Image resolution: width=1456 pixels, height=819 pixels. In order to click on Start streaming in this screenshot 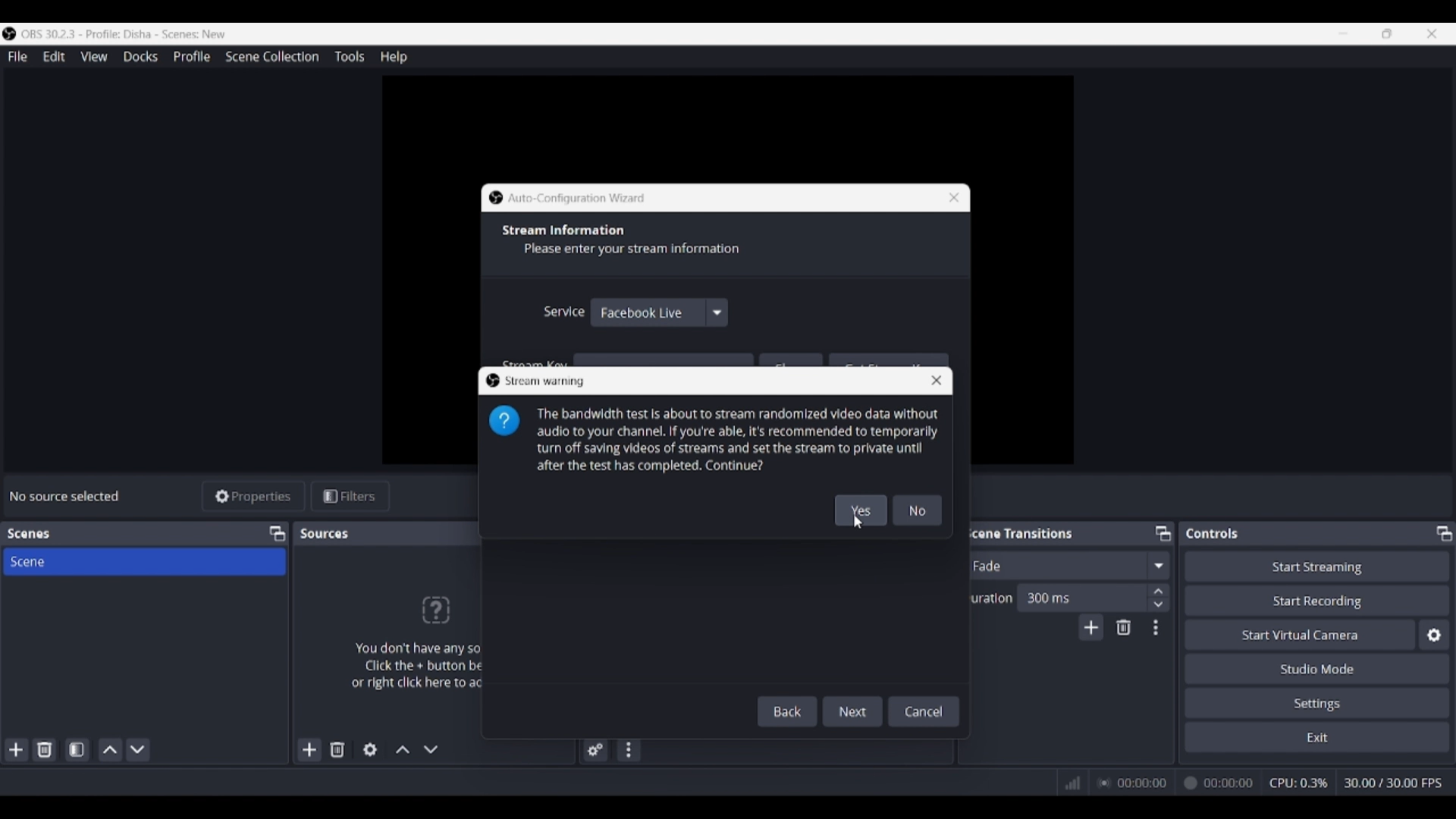, I will do `click(1318, 566)`.